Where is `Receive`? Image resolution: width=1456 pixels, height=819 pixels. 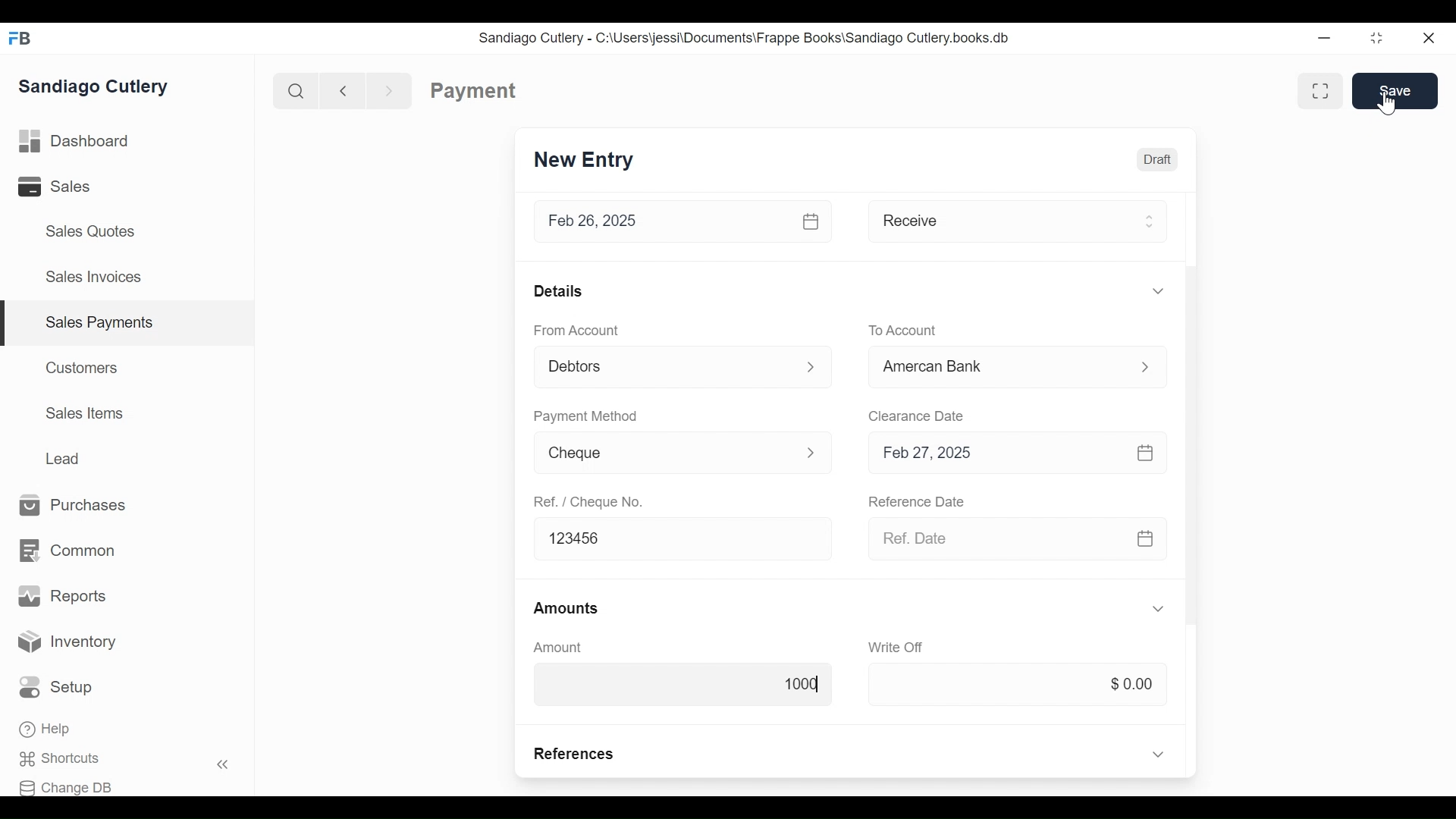
Receive is located at coordinates (995, 220).